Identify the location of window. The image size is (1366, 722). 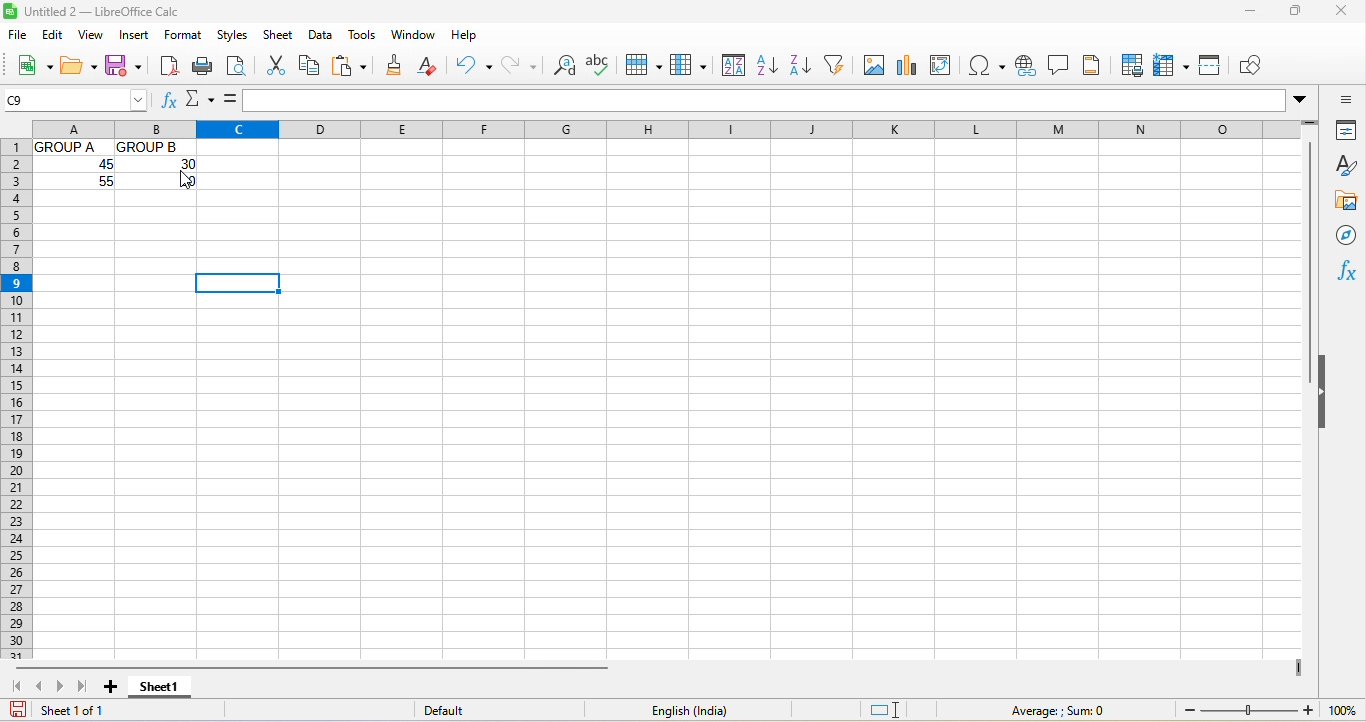
(415, 36).